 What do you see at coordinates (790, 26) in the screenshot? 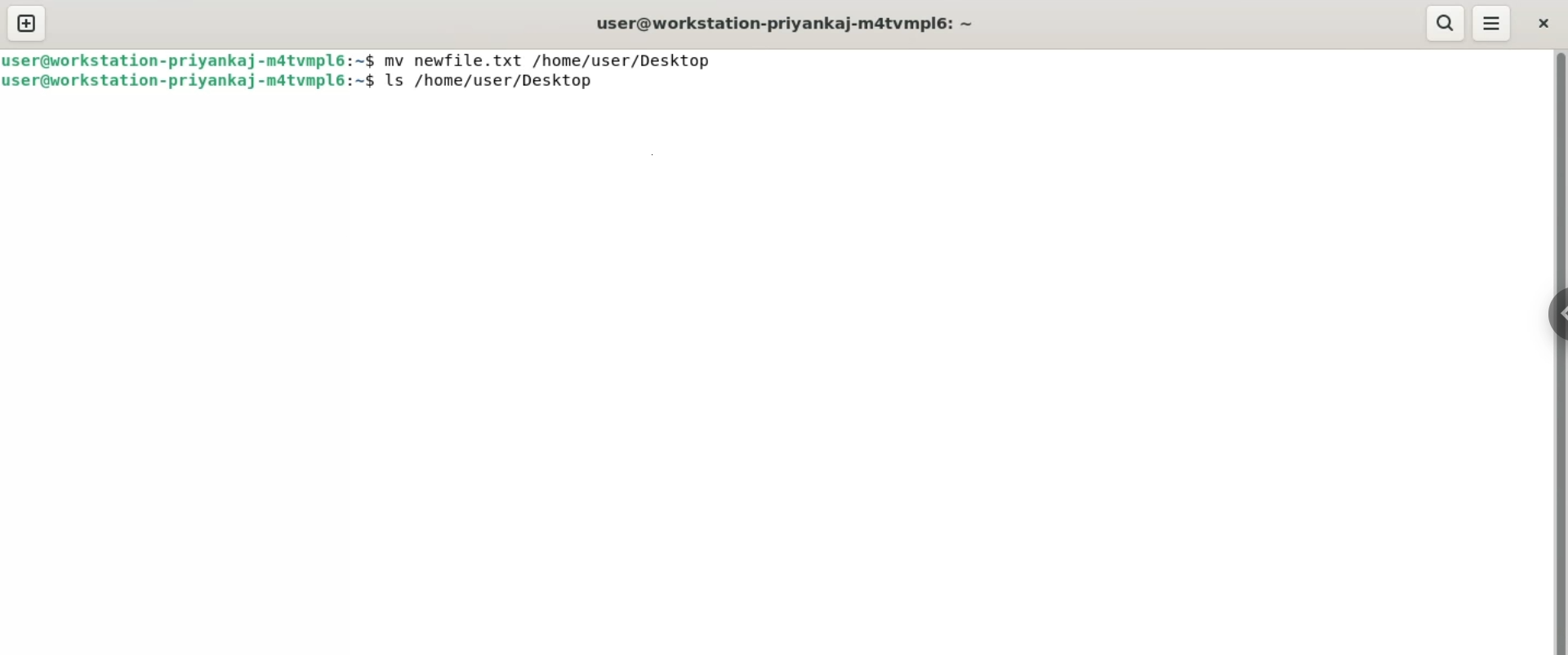
I see `user@workstation-priyankaj-matvmpl6:~` at bounding box center [790, 26].